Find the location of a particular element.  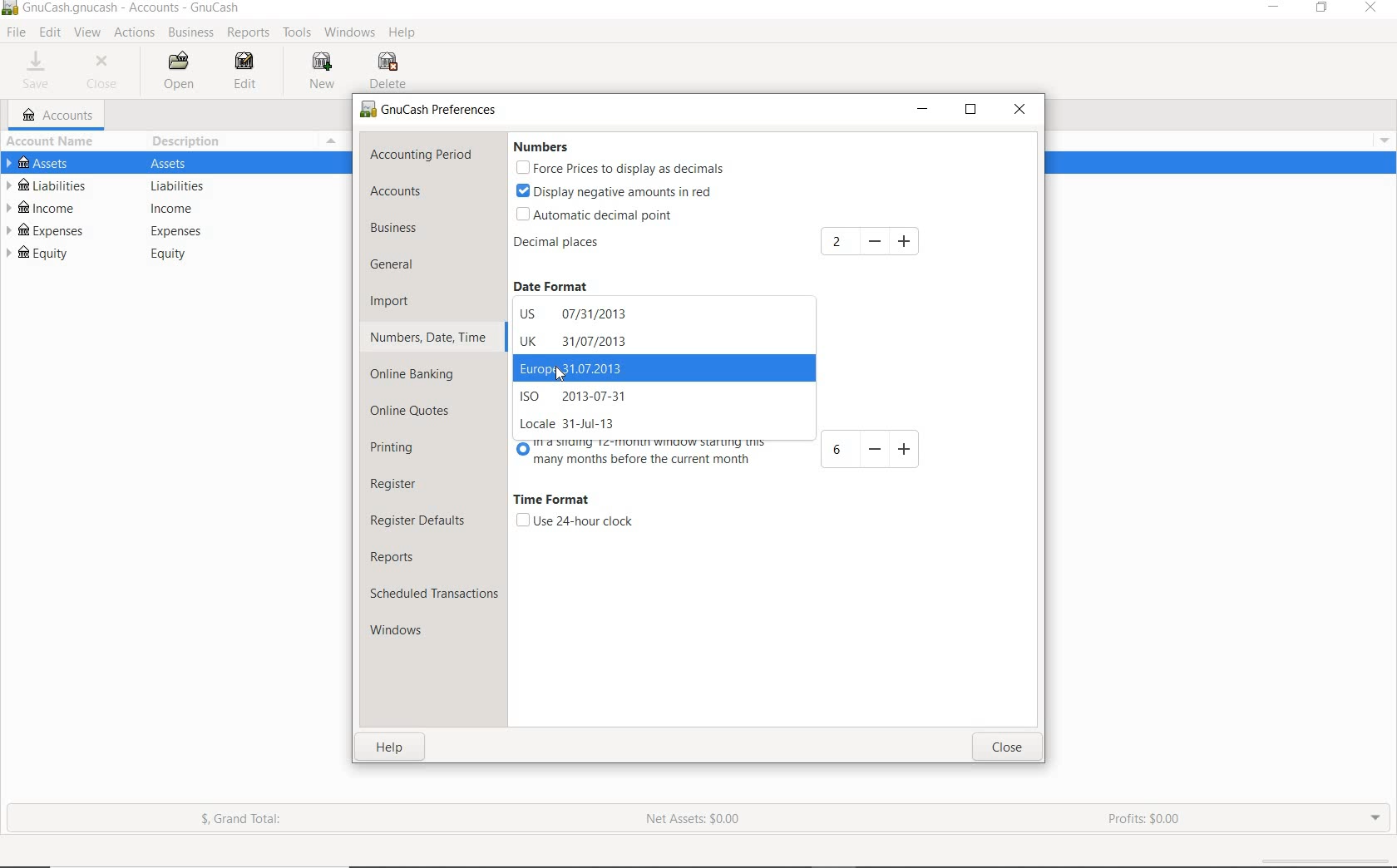

close is located at coordinates (1006, 748).